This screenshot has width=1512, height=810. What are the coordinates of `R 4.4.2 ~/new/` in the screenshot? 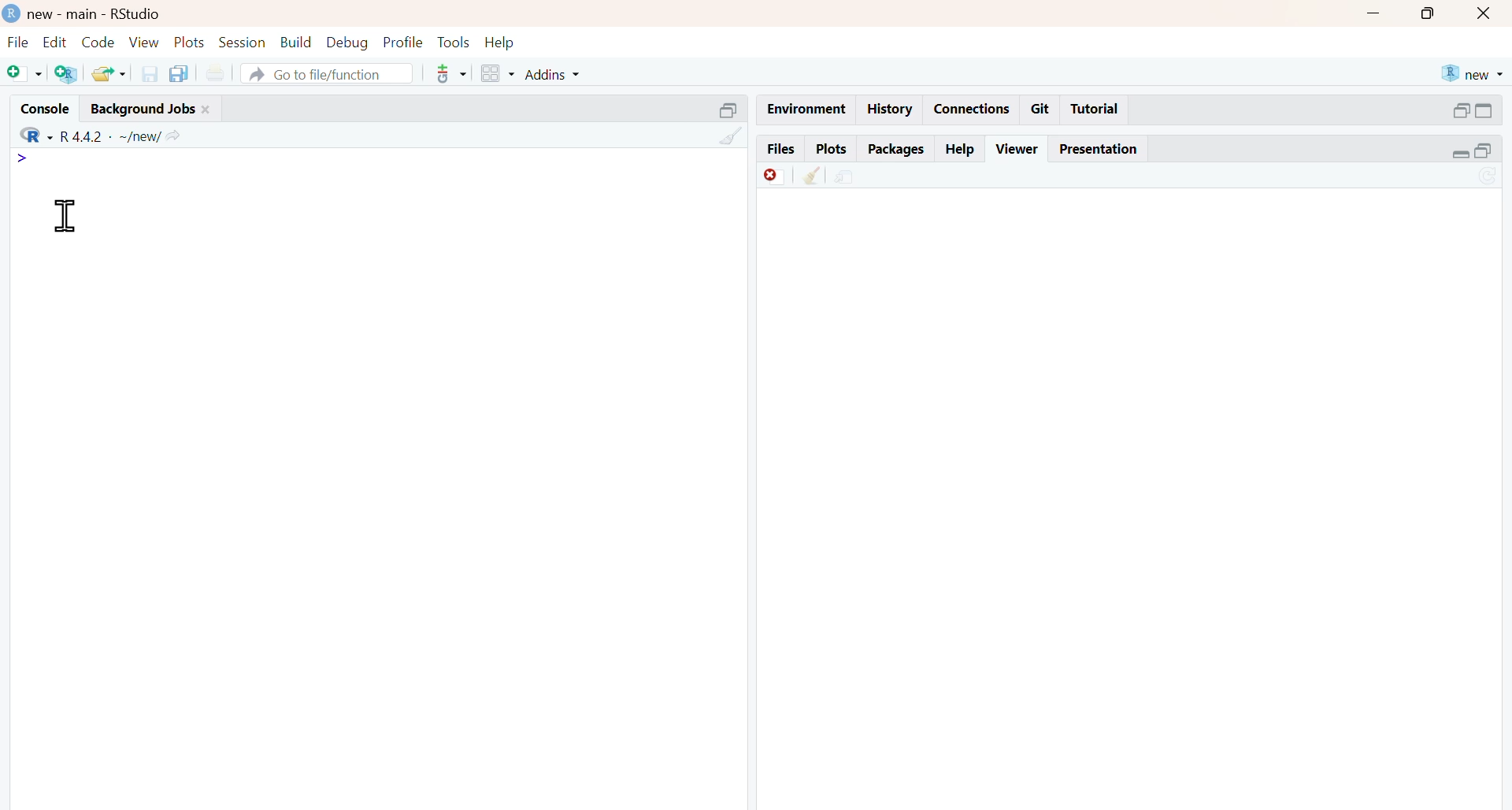 It's located at (111, 137).